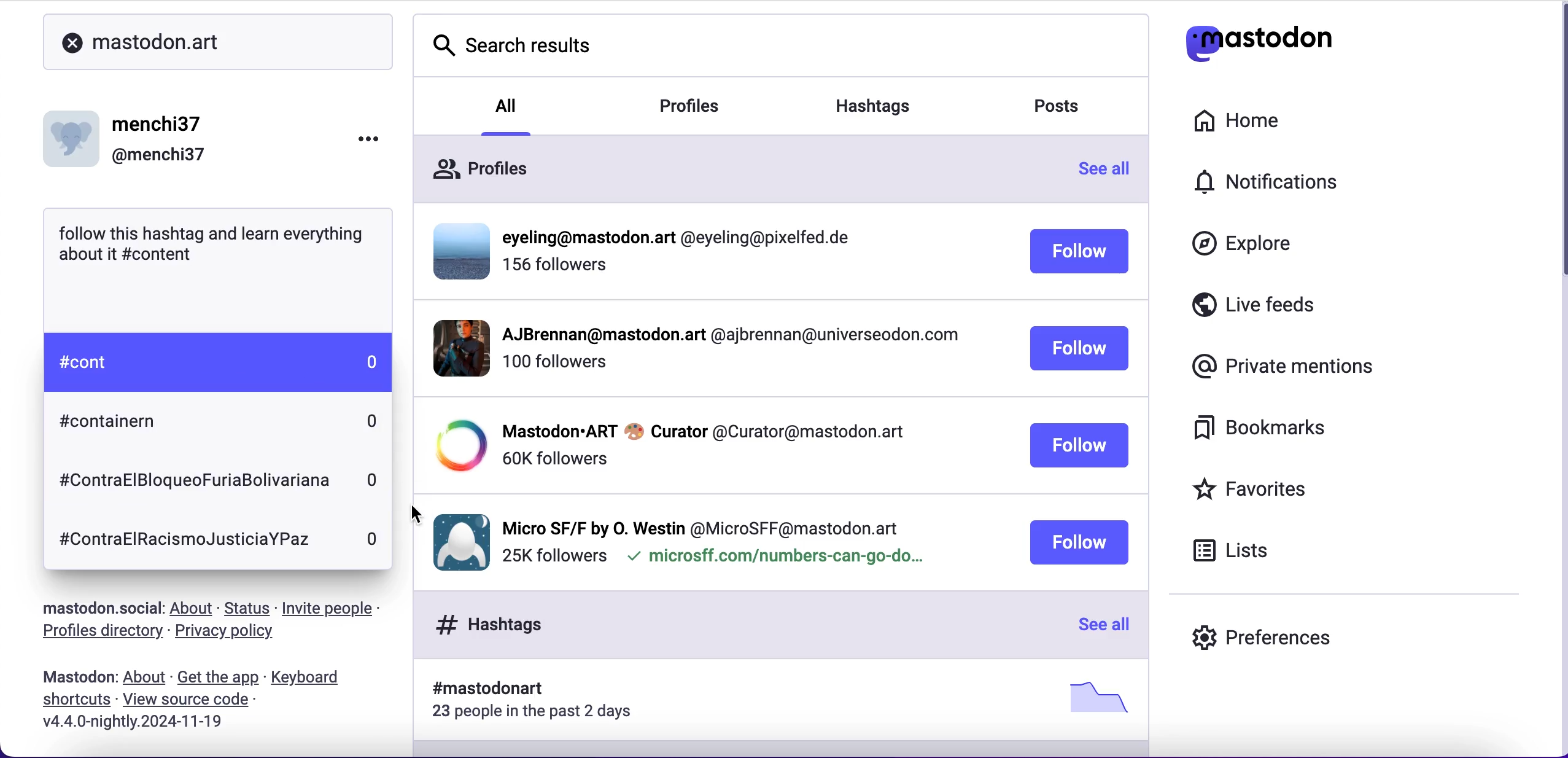 The width and height of the screenshot is (1568, 758). What do you see at coordinates (774, 559) in the screenshot?
I see `microsff` at bounding box center [774, 559].